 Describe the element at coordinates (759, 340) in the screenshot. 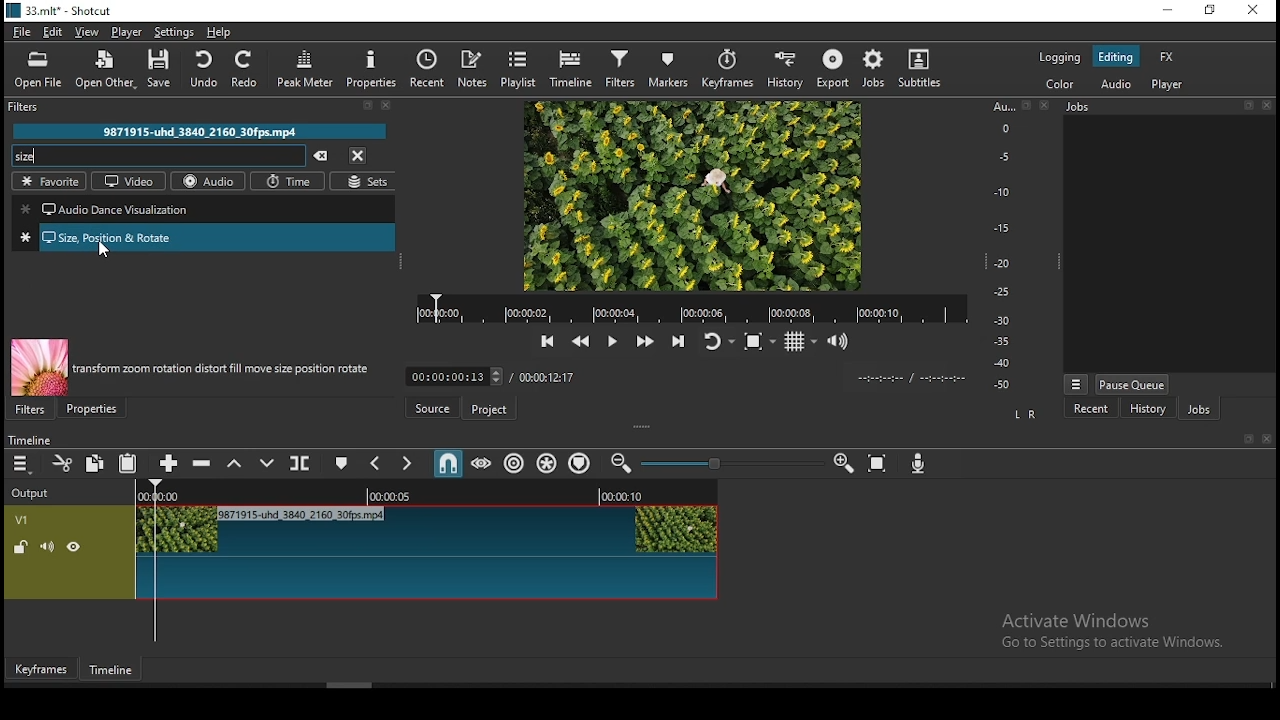

I see `toggle zoom` at that location.